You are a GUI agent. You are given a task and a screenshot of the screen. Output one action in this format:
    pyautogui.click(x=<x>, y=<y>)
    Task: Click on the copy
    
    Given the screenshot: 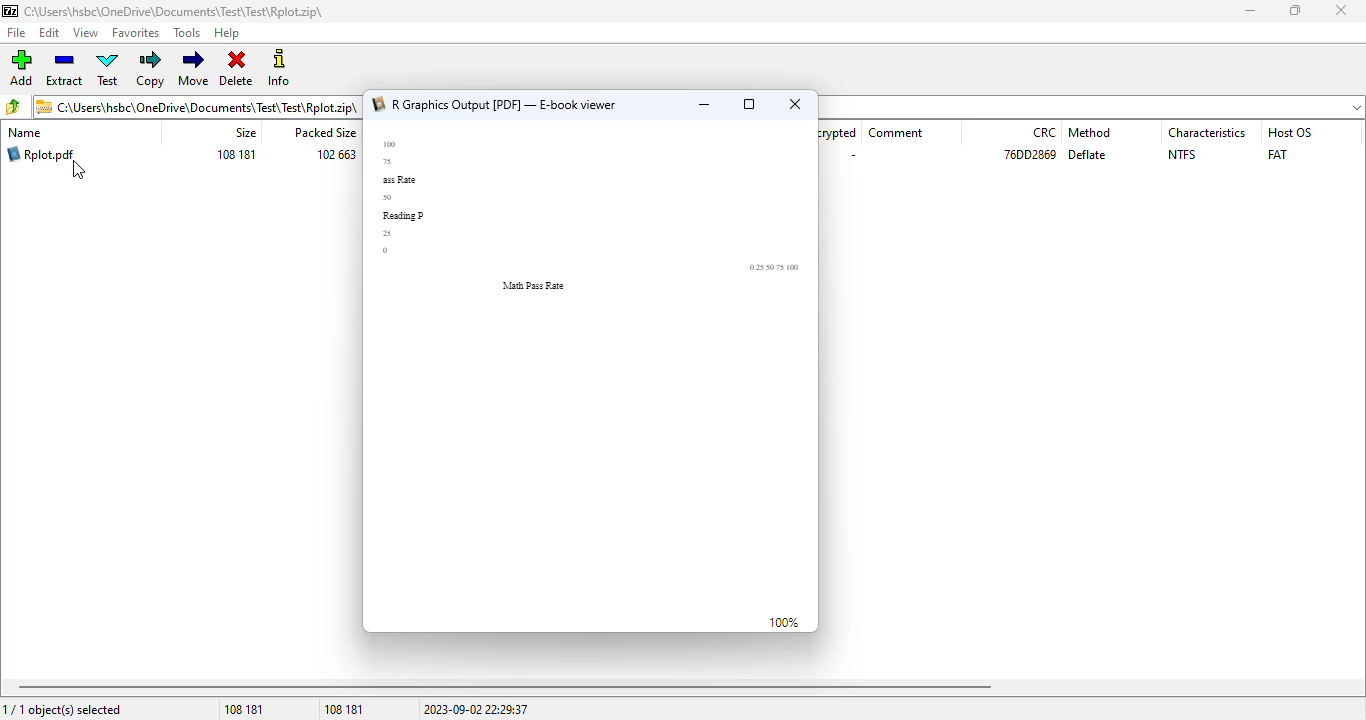 What is the action you would take?
    pyautogui.click(x=151, y=69)
    